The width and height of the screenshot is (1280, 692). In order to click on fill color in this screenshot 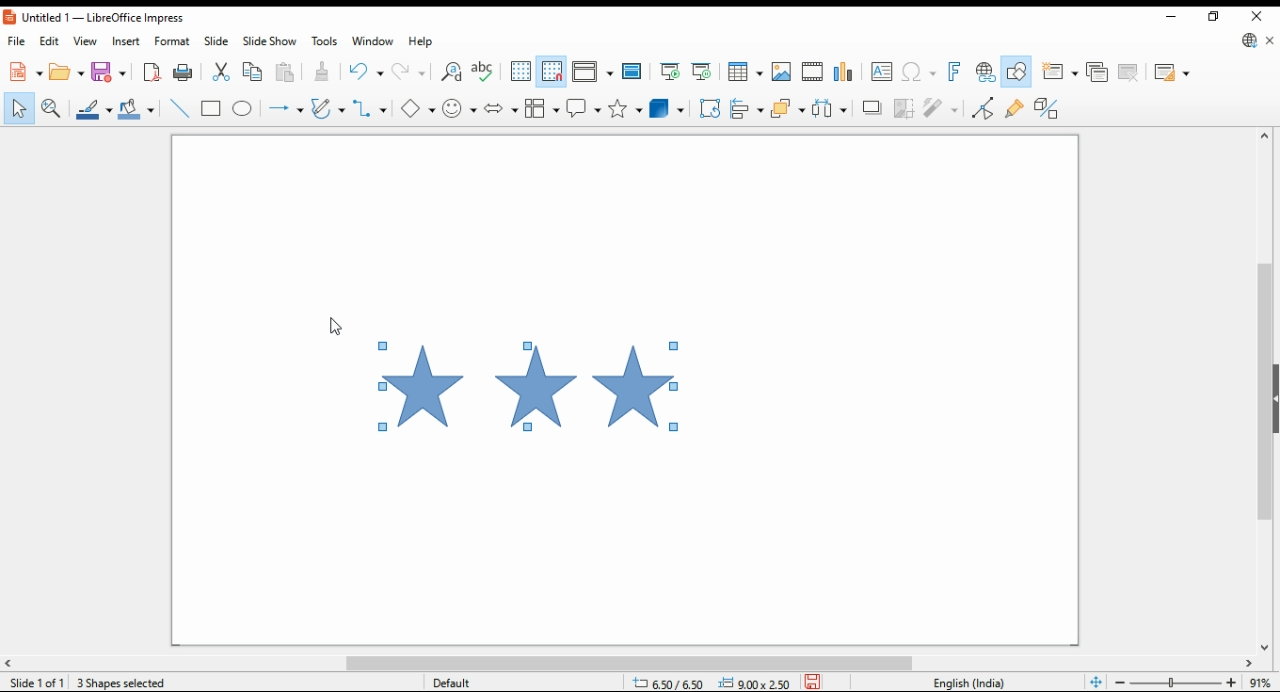, I will do `click(139, 108)`.